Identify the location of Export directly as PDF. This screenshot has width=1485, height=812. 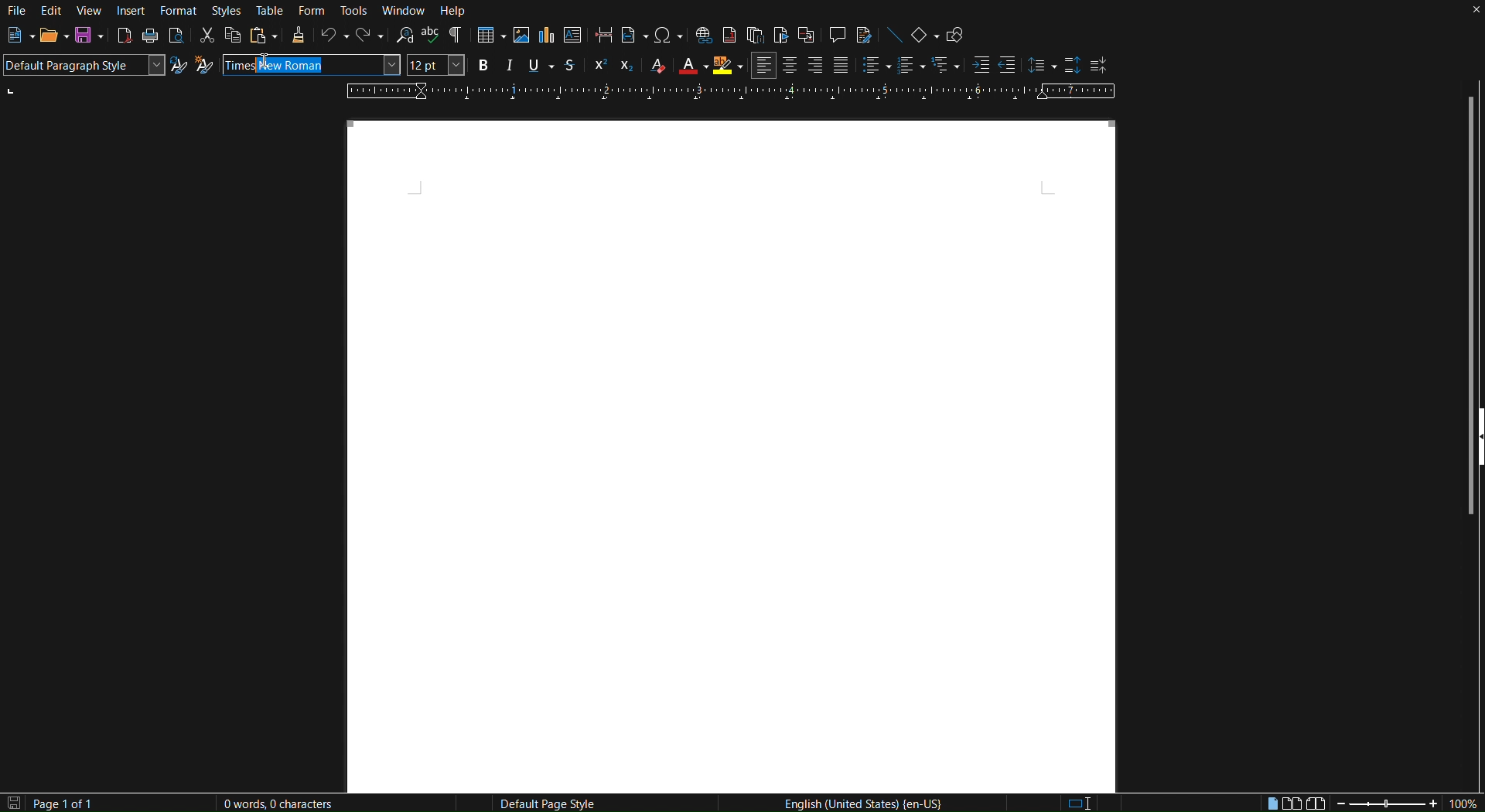
(125, 37).